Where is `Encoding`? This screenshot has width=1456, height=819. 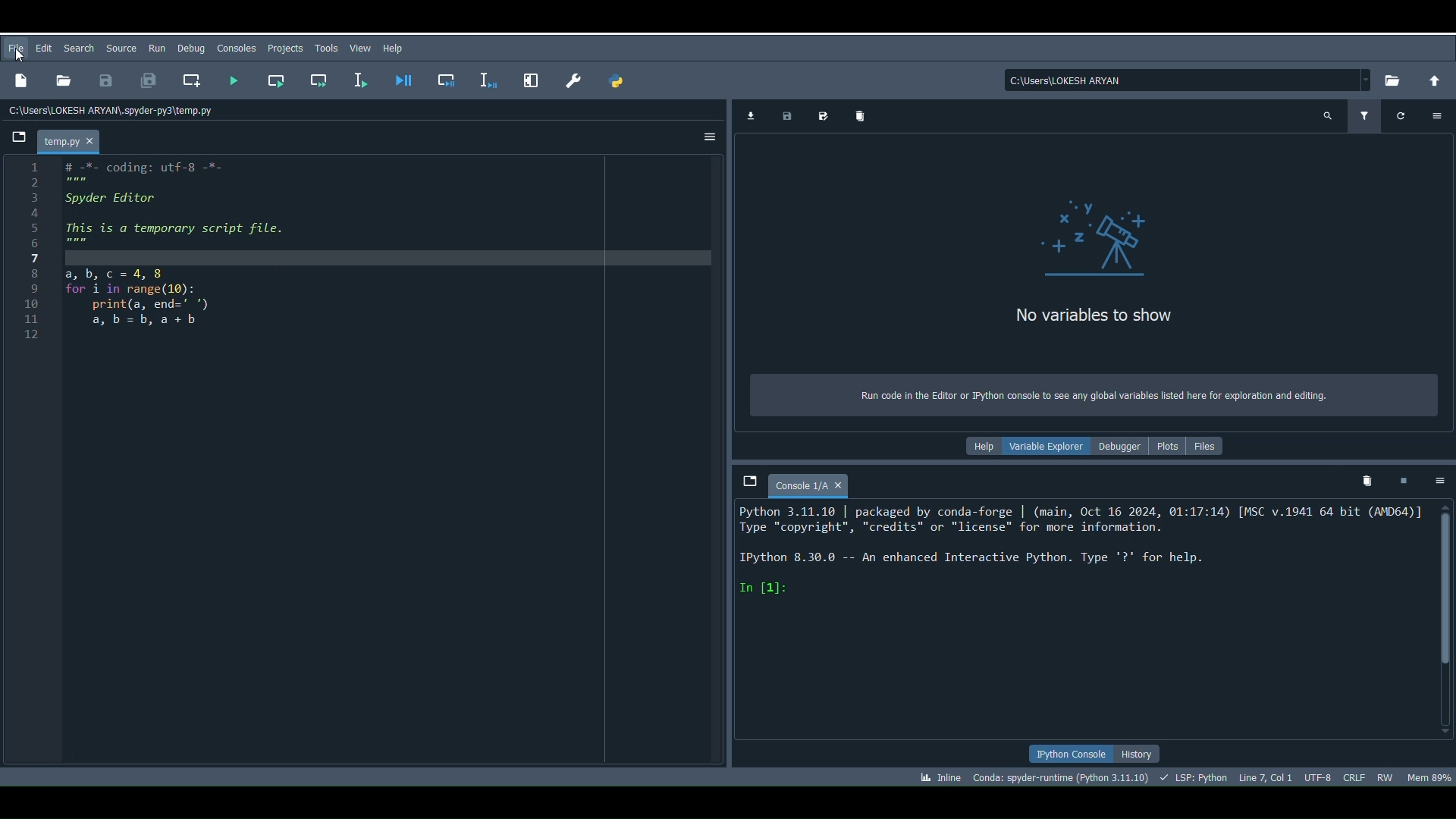
Encoding is located at coordinates (1318, 780).